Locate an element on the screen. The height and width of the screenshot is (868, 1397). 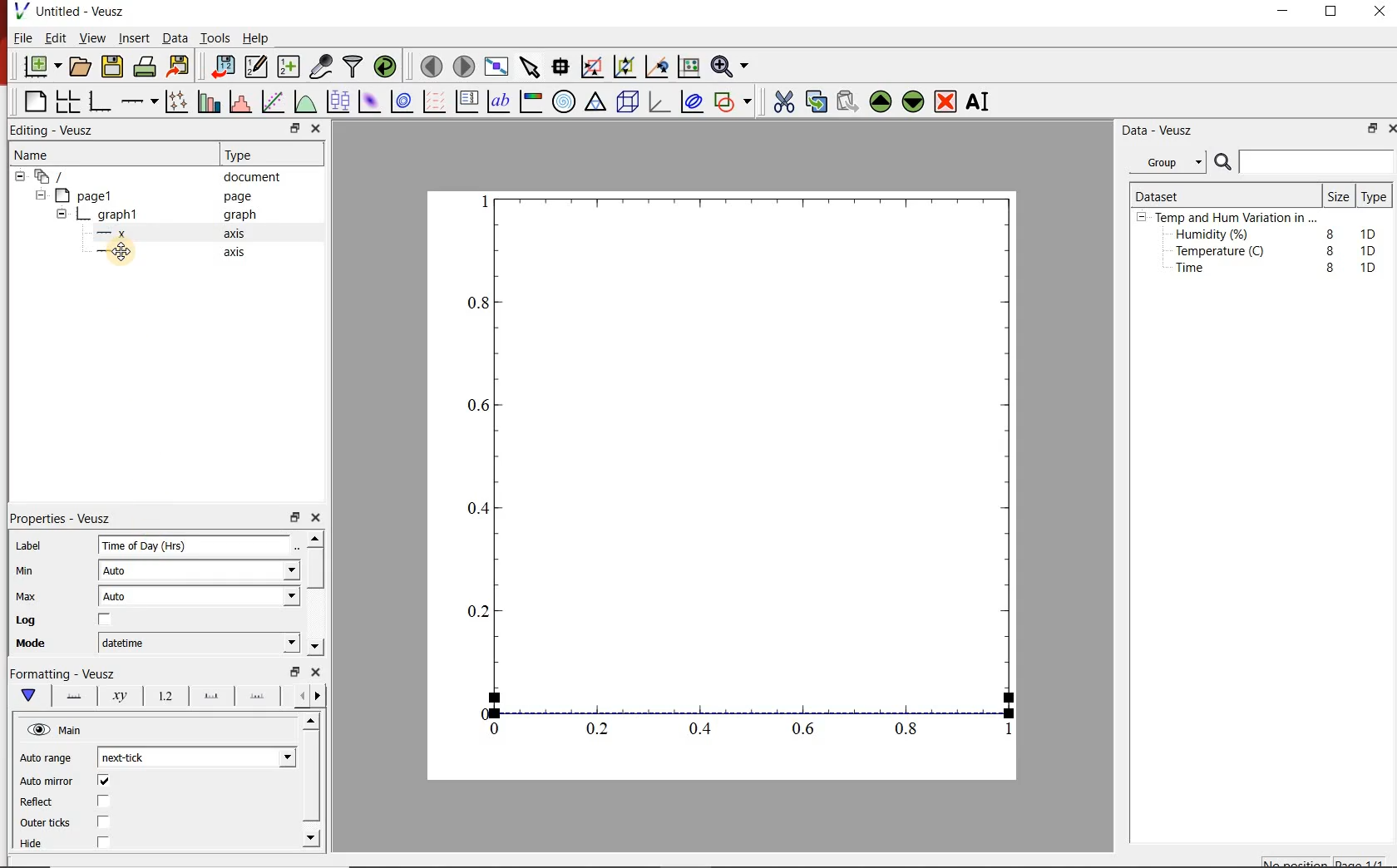
arrange graphs in a grid is located at coordinates (70, 99).